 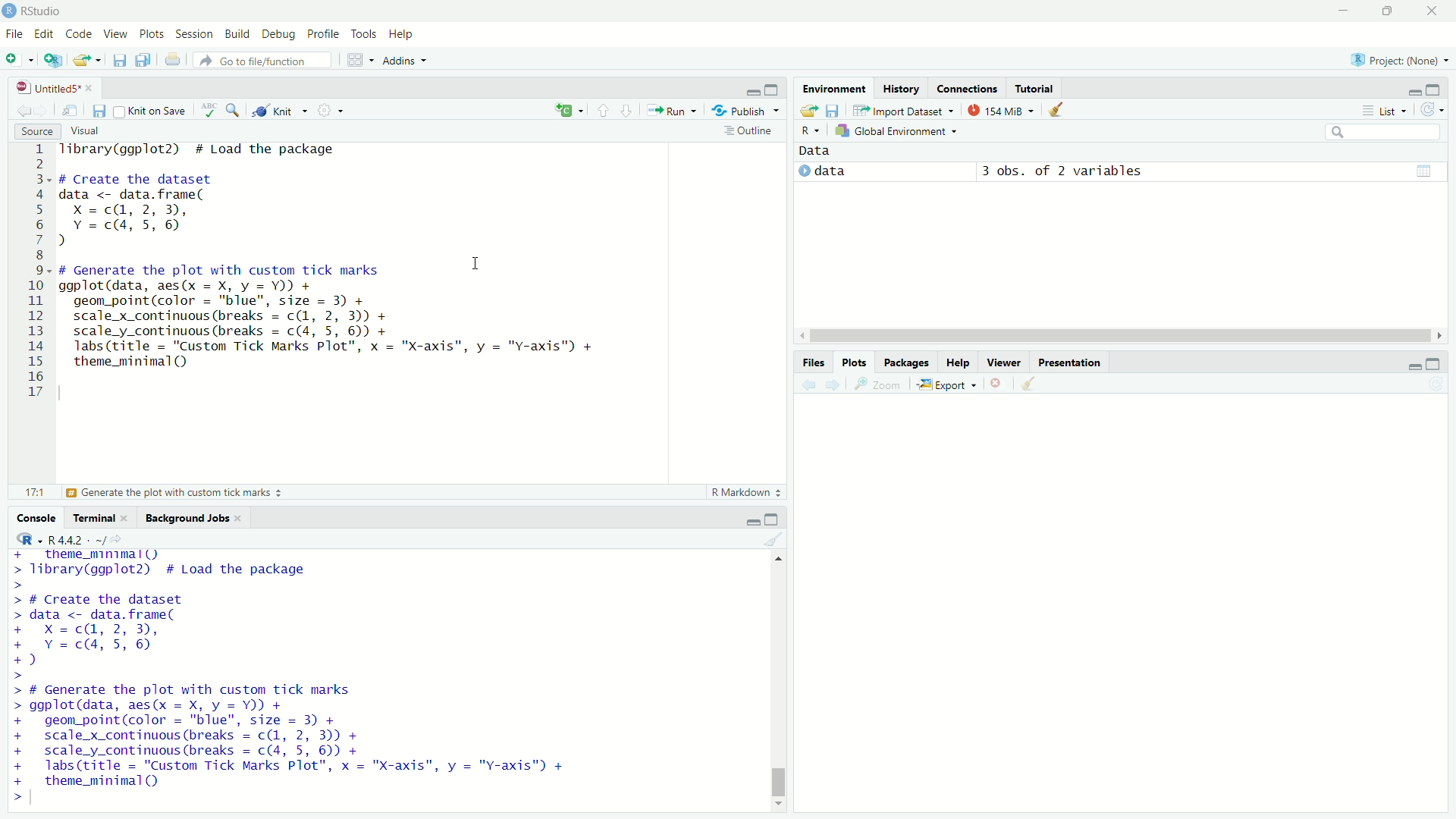 I want to click on play, so click(x=802, y=174).